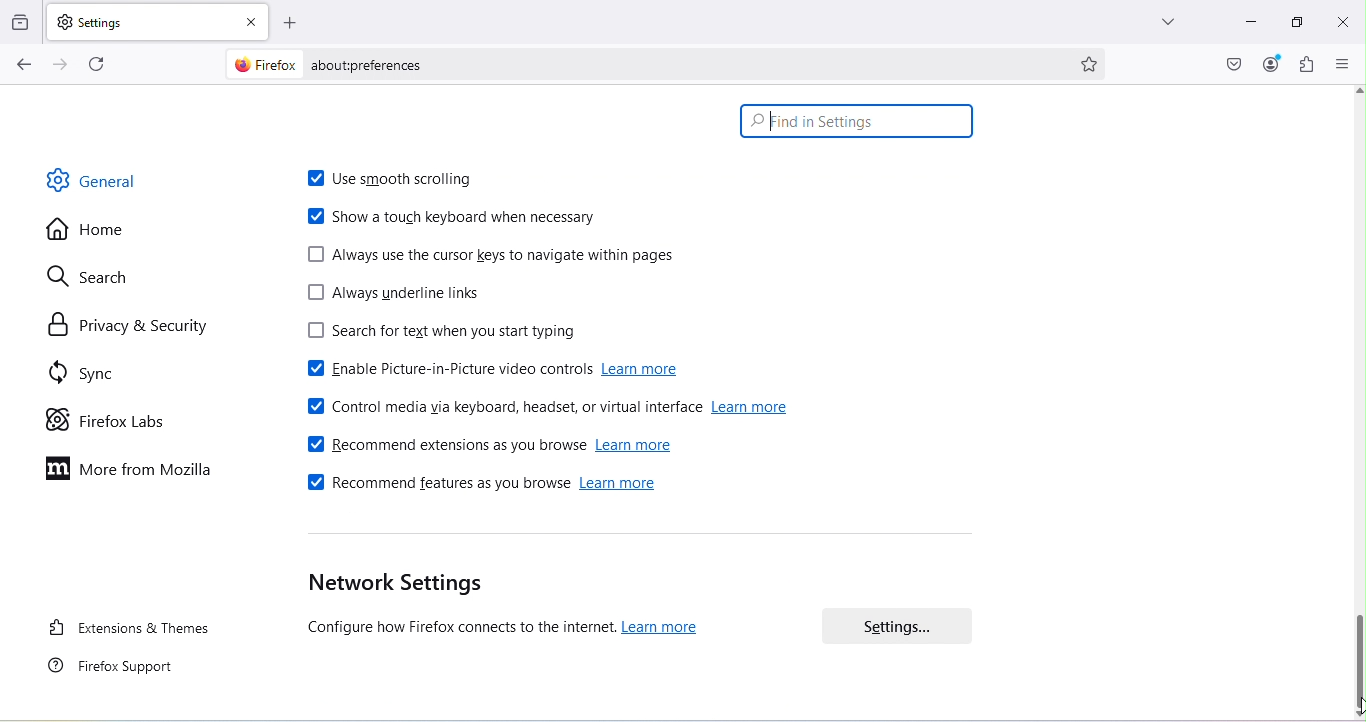 The width and height of the screenshot is (1366, 722). I want to click on Go back one page, so click(22, 66).